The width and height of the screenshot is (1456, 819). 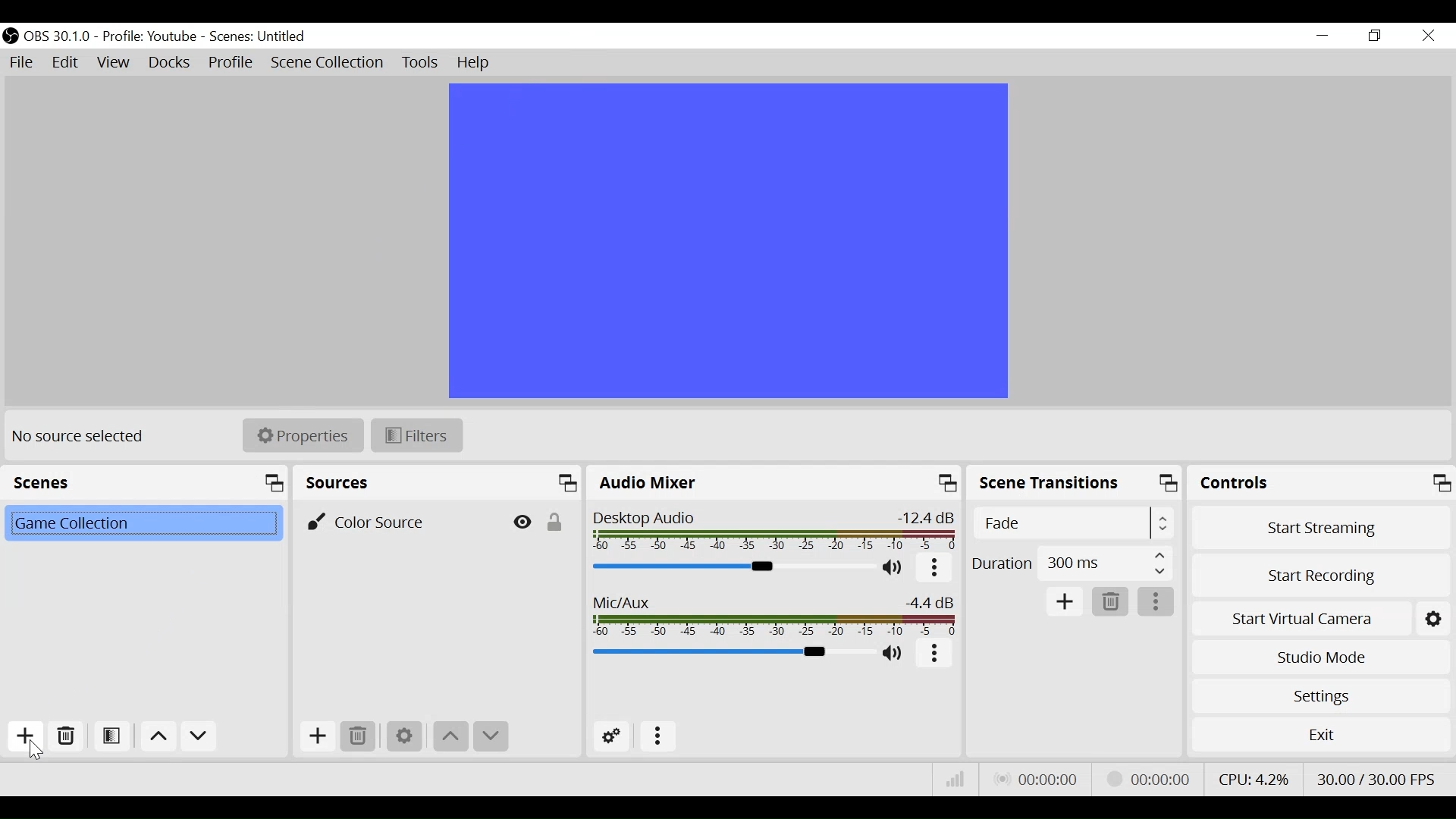 I want to click on No source selected, so click(x=83, y=436).